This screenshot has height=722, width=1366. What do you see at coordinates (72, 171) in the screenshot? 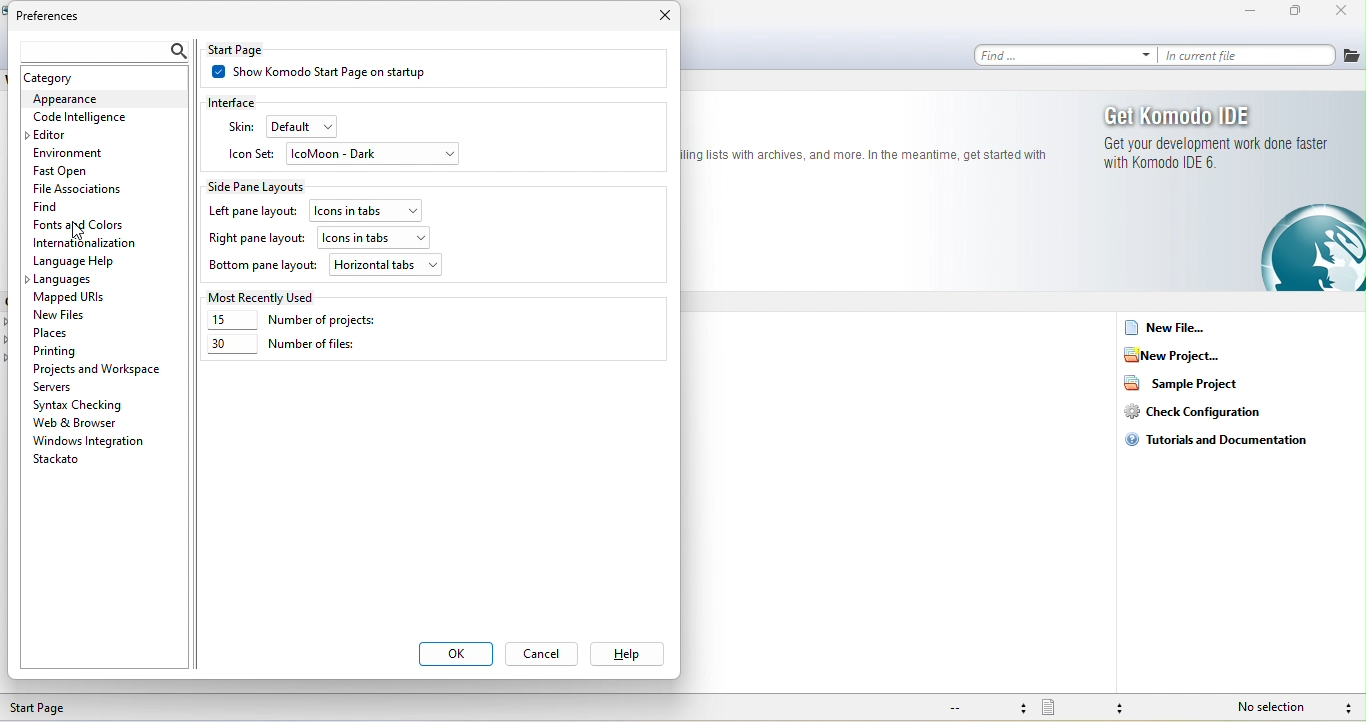
I see `fast open` at bounding box center [72, 171].